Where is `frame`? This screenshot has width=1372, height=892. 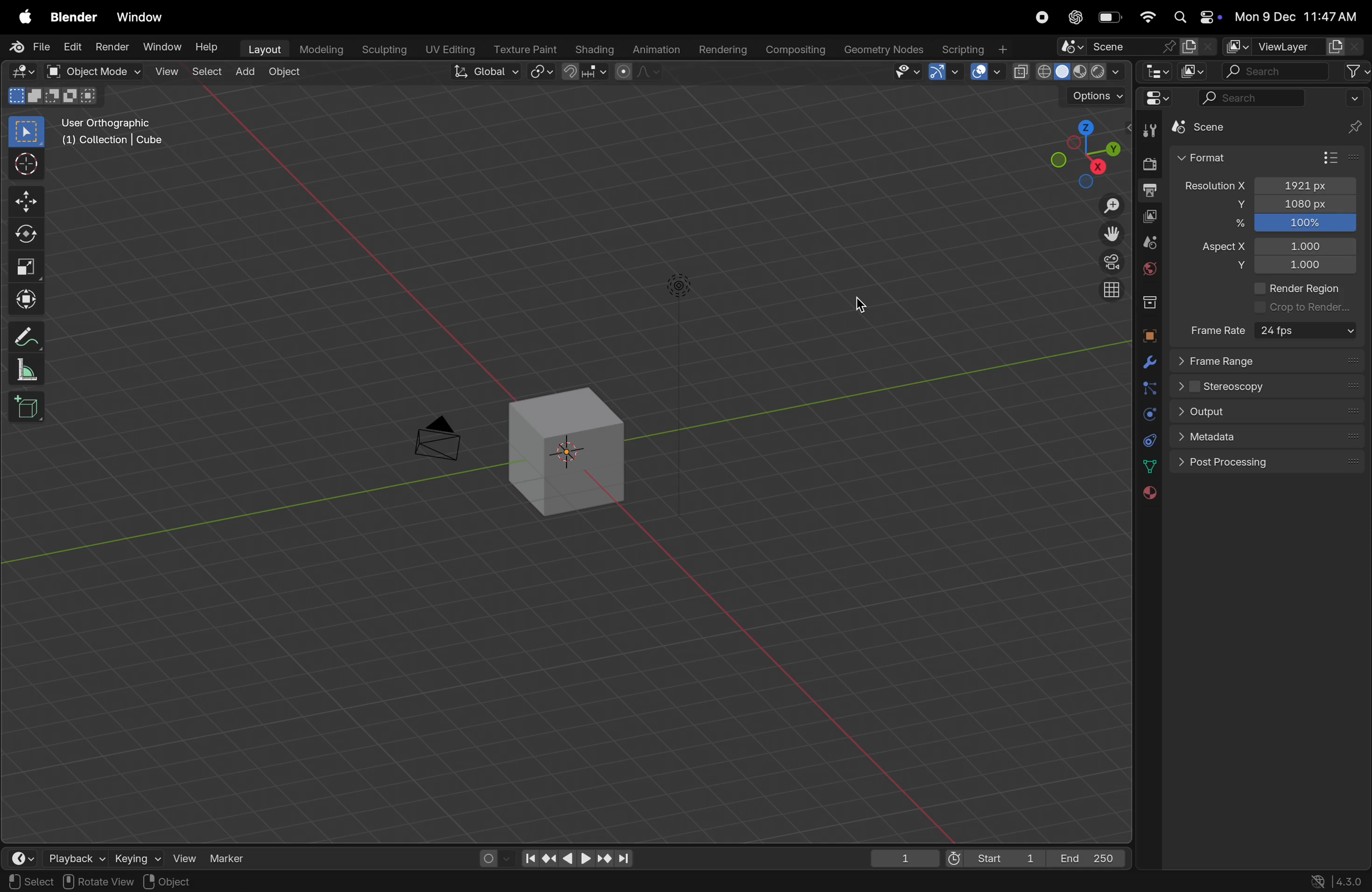 frame is located at coordinates (1219, 330).